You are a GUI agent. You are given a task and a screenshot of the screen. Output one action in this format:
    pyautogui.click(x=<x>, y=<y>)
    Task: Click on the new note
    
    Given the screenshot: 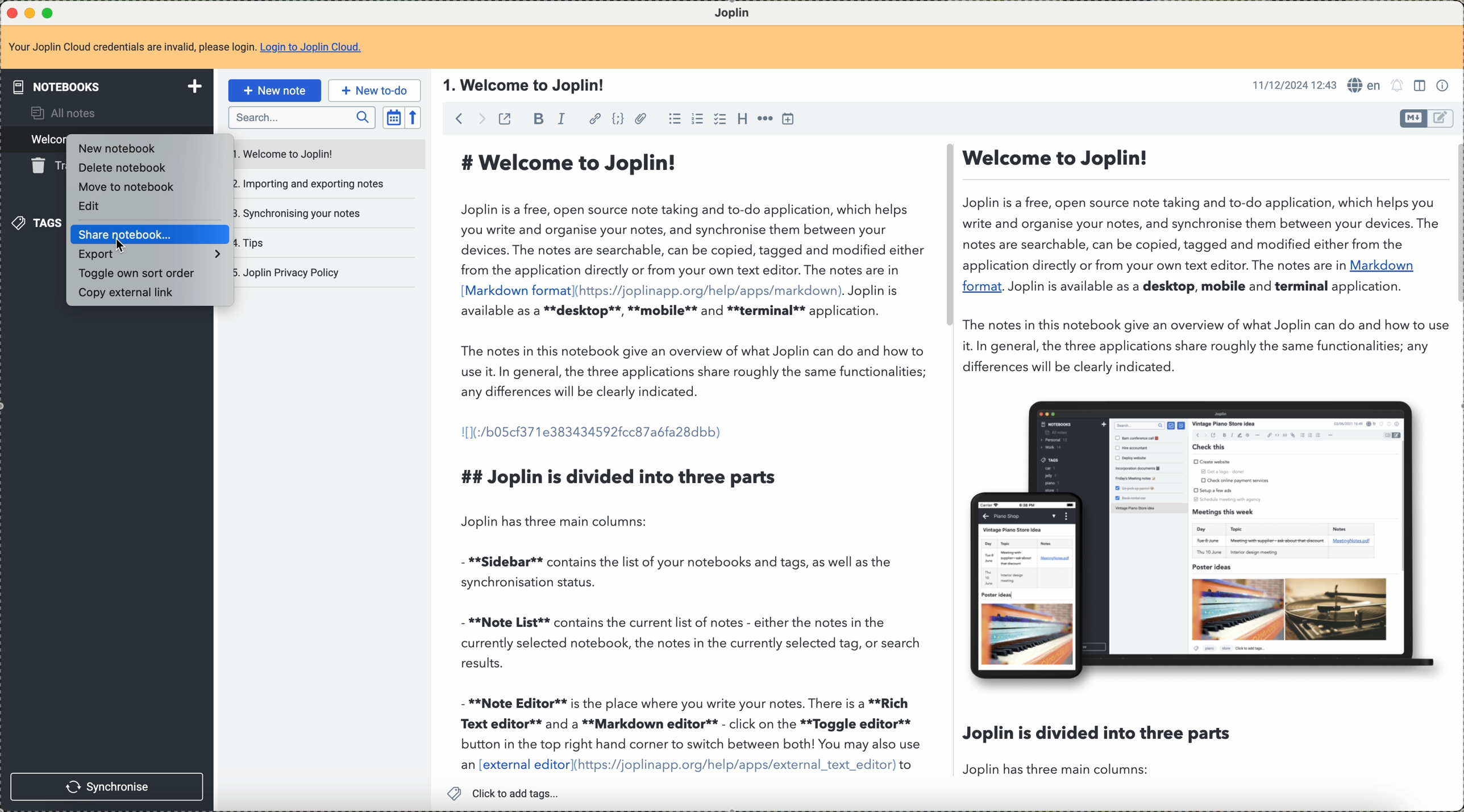 What is the action you would take?
    pyautogui.click(x=278, y=90)
    